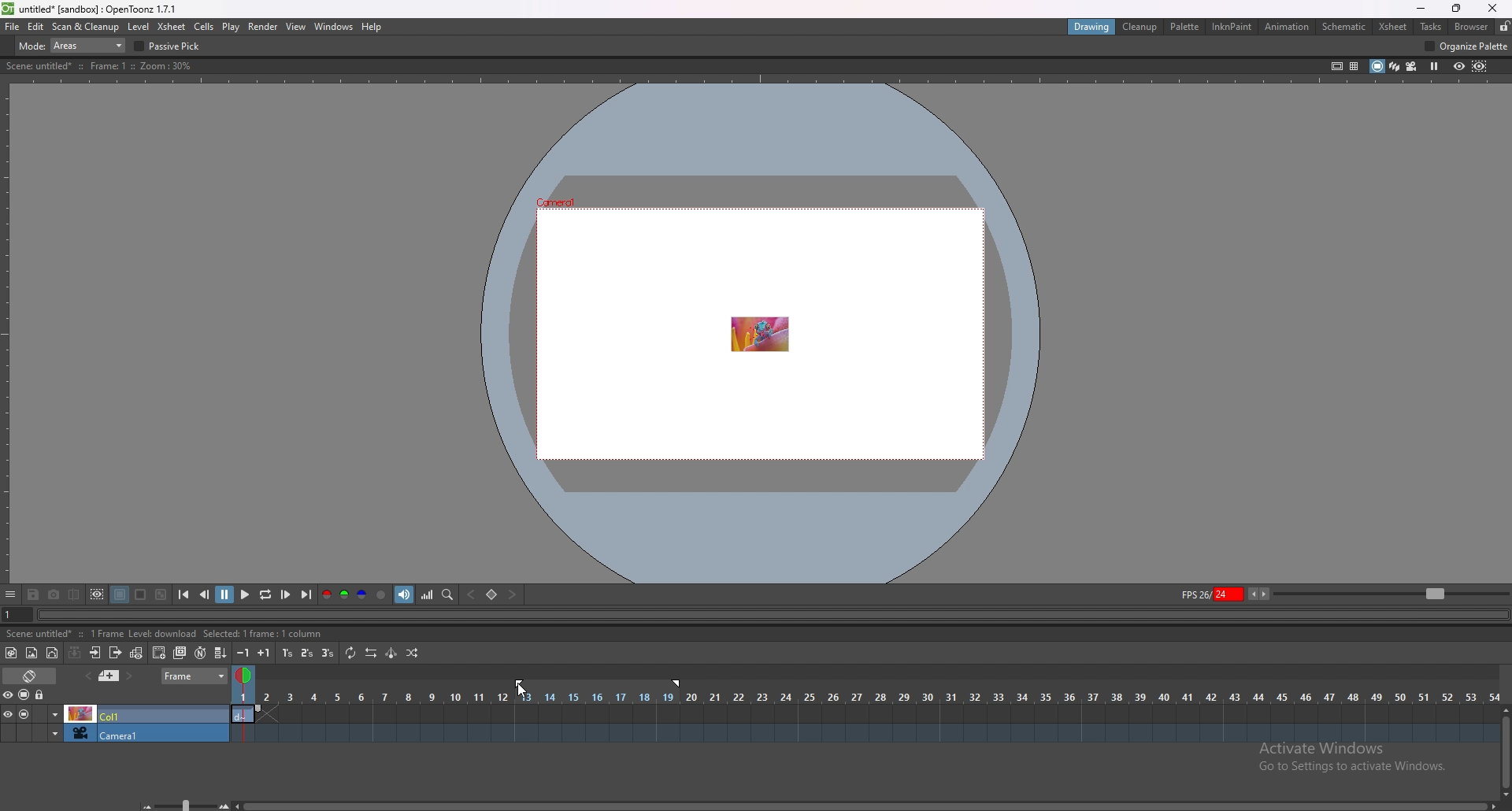 Image resolution: width=1512 pixels, height=811 pixels. Describe the element at coordinates (246, 593) in the screenshot. I see `play` at that location.